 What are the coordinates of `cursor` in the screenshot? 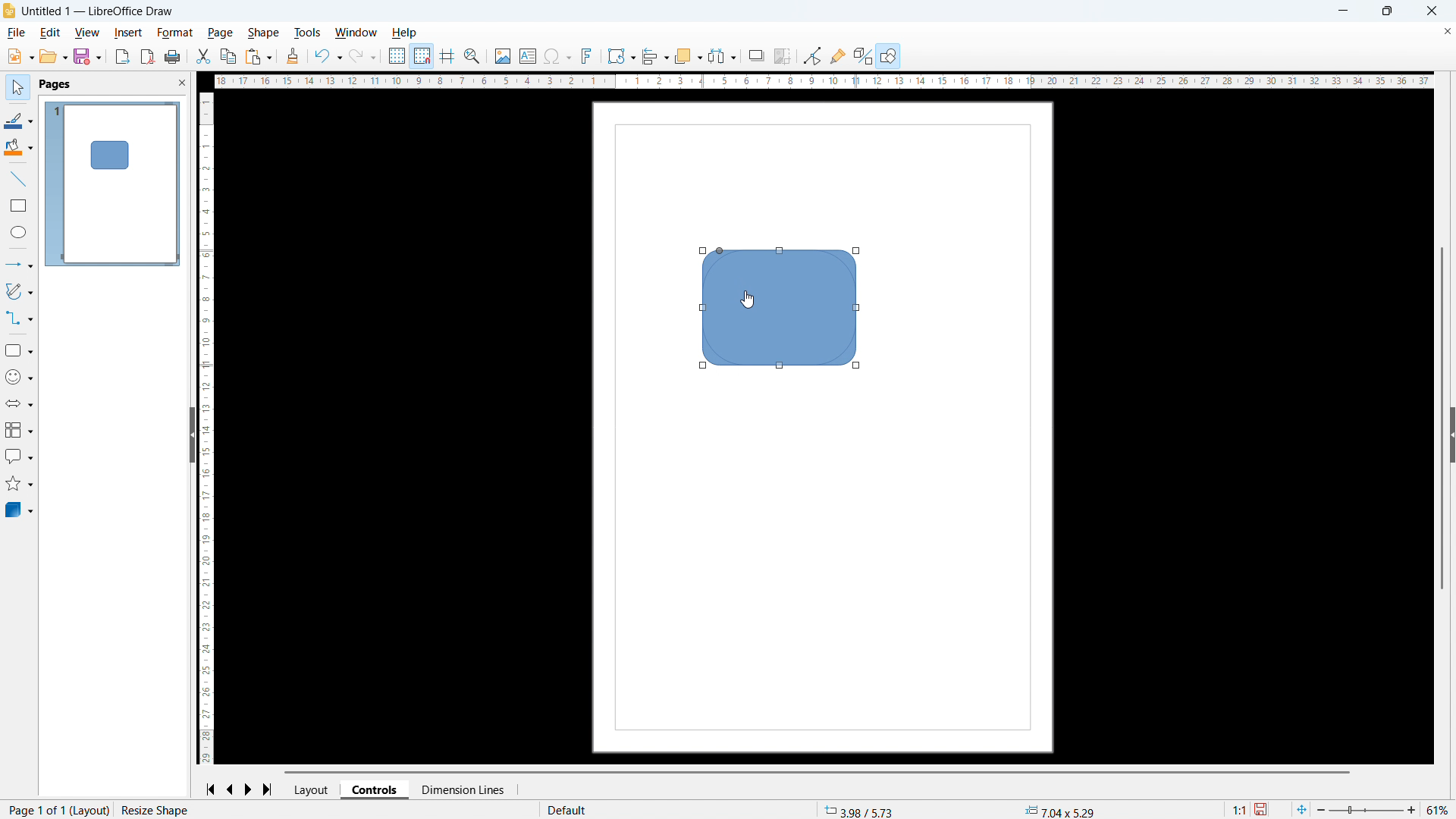 It's located at (750, 300).